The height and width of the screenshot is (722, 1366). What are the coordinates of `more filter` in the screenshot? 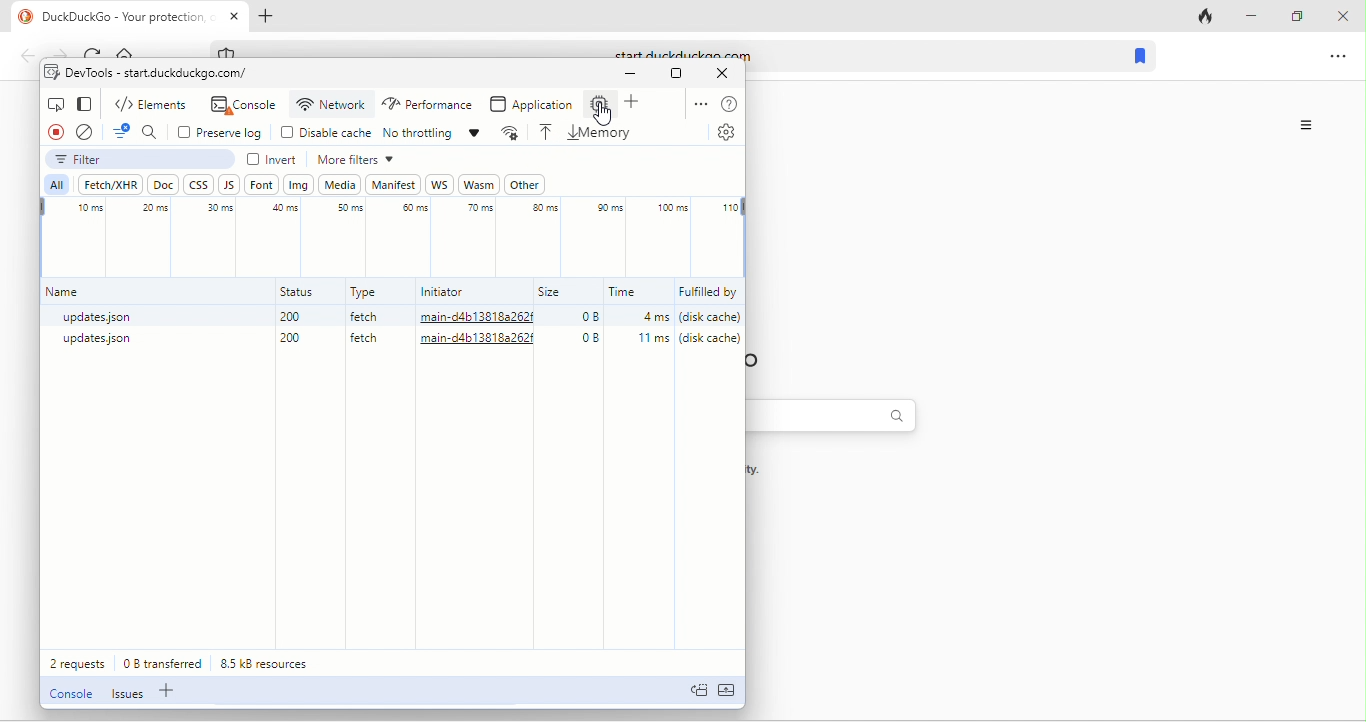 It's located at (363, 161).